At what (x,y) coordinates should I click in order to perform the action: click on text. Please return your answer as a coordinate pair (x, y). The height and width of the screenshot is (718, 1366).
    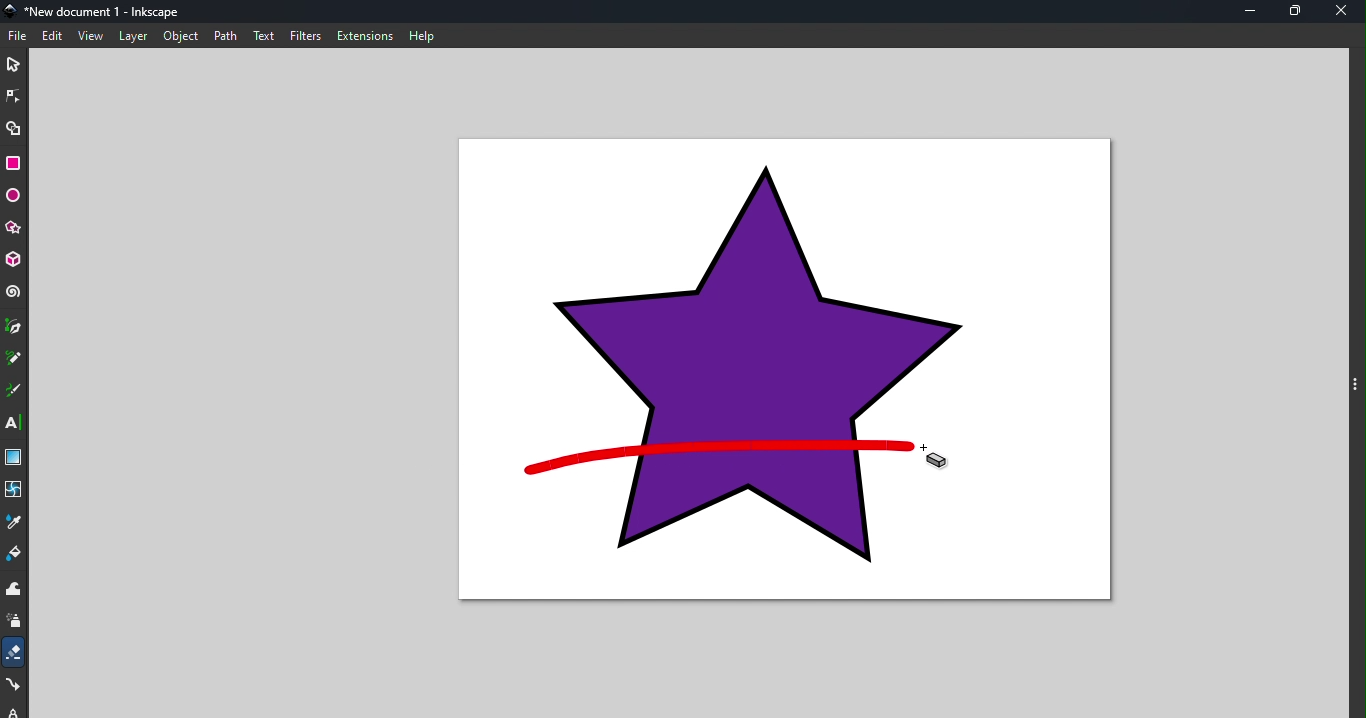
    Looking at the image, I should click on (265, 35).